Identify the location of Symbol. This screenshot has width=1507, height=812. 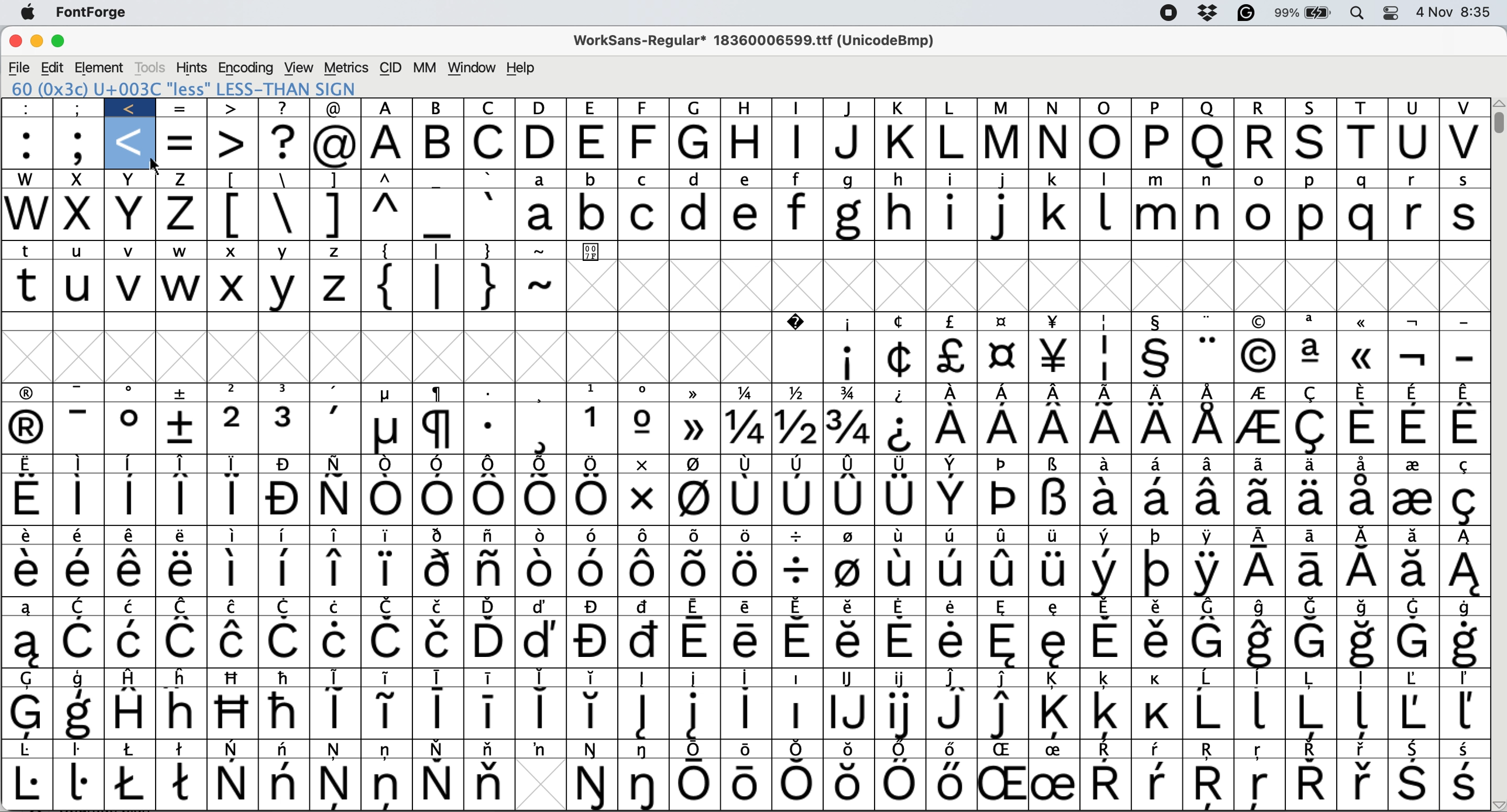
(1360, 358).